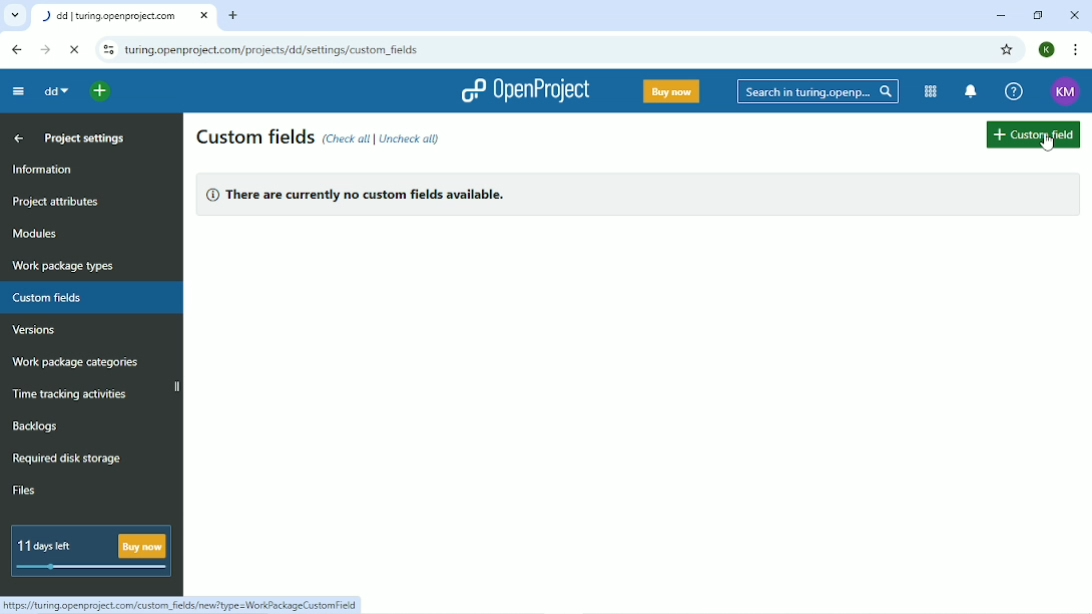  Describe the element at coordinates (17, 138) in the screenshot. I see `Up` at that location.